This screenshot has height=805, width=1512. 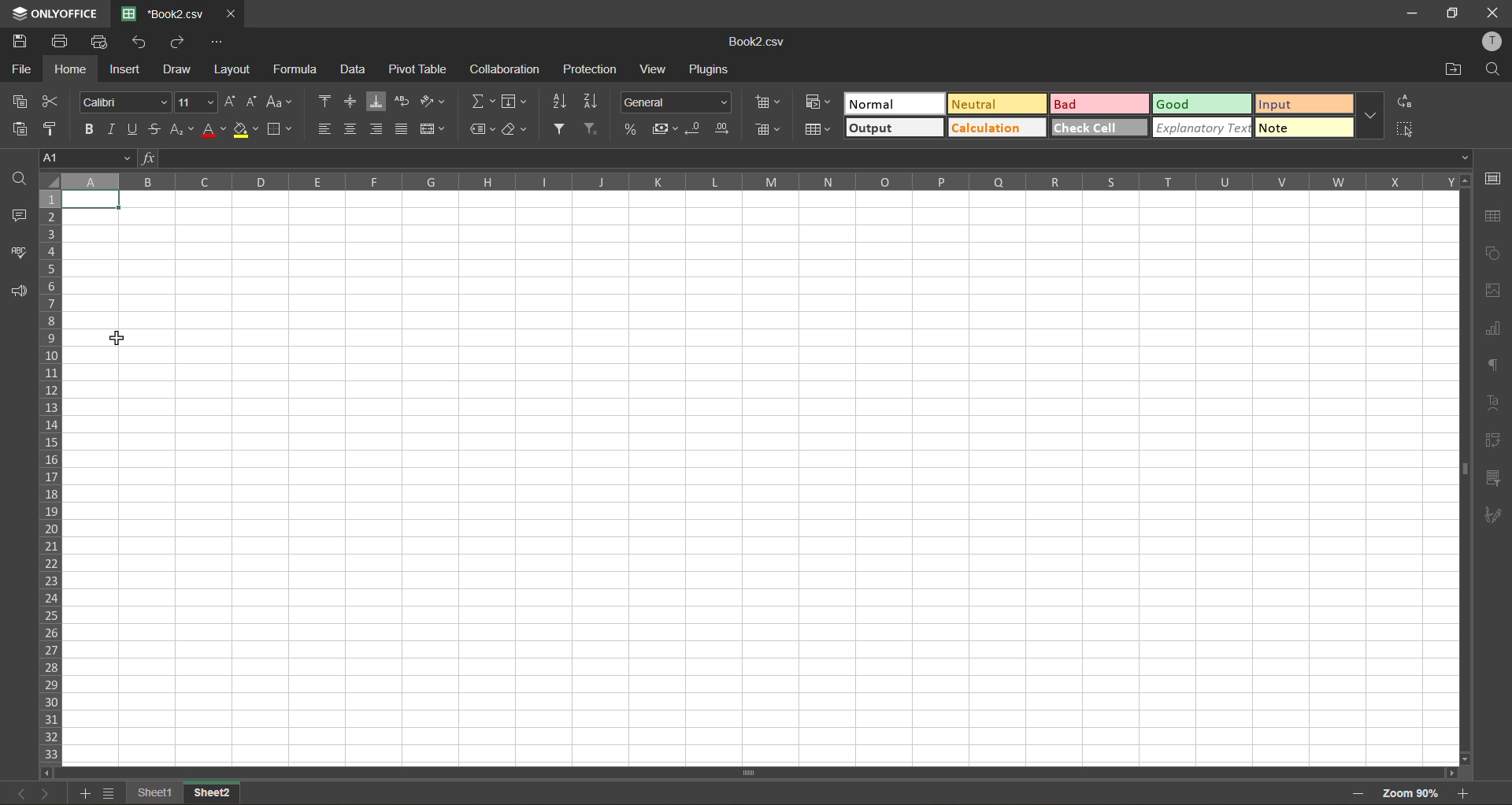 What do you see at coordinates (17, 250) in the screenshot?
I see `spell check` at bounding box center [17, 250].